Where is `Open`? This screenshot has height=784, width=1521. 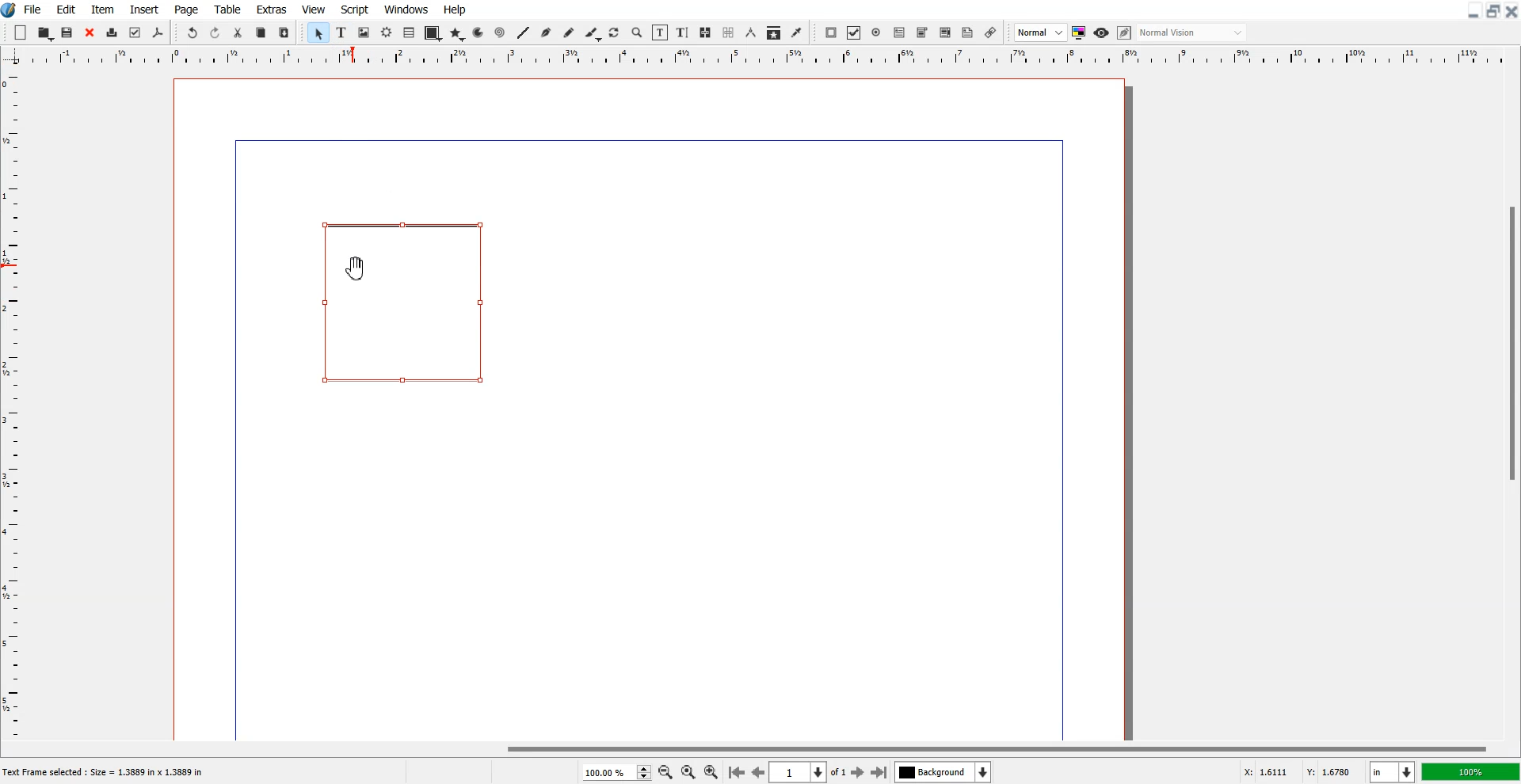 Open is located at coordinates (46, 33).